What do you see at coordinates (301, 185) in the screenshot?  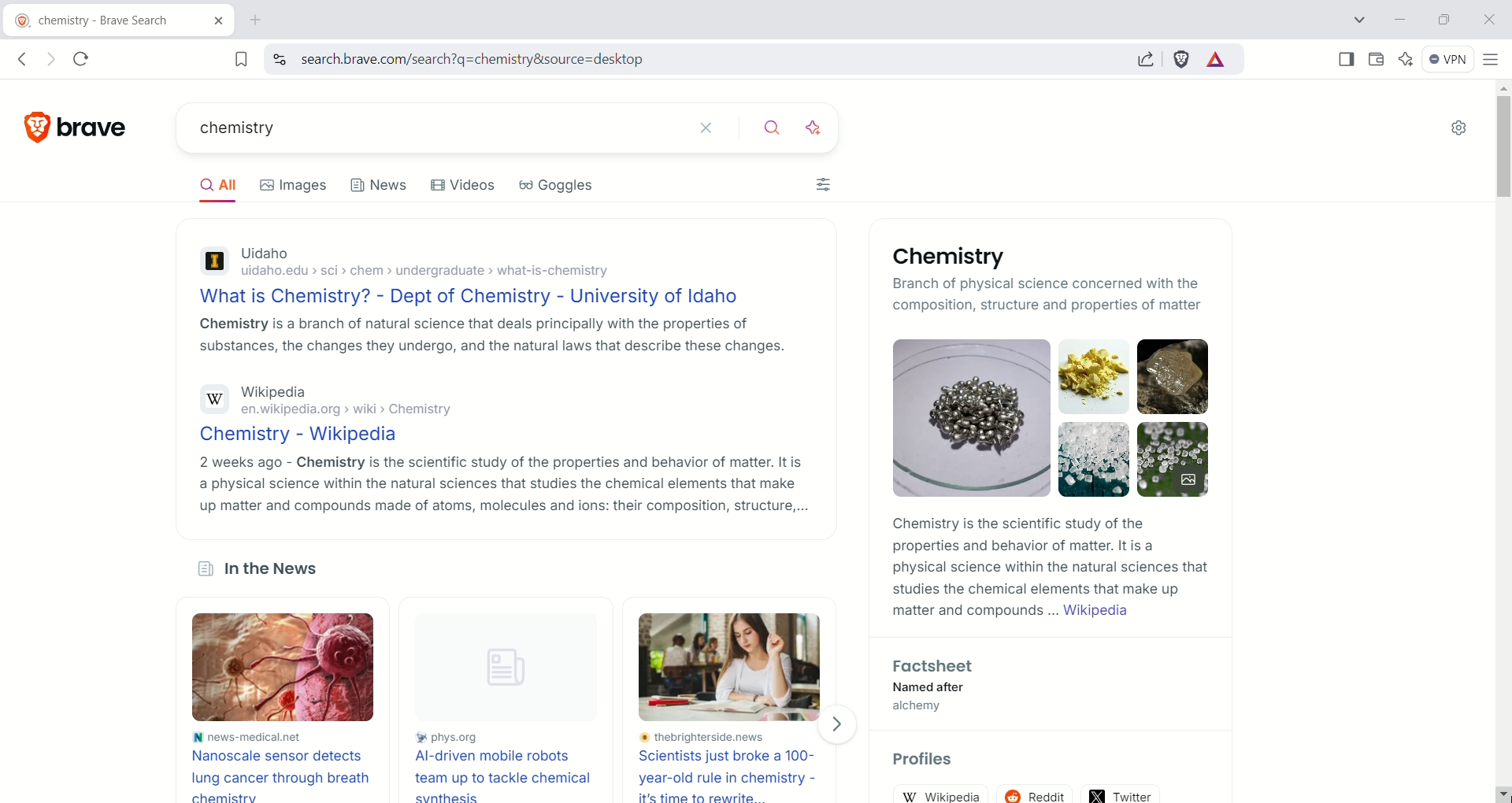 I see `Images` at bounding box center [301, 185].